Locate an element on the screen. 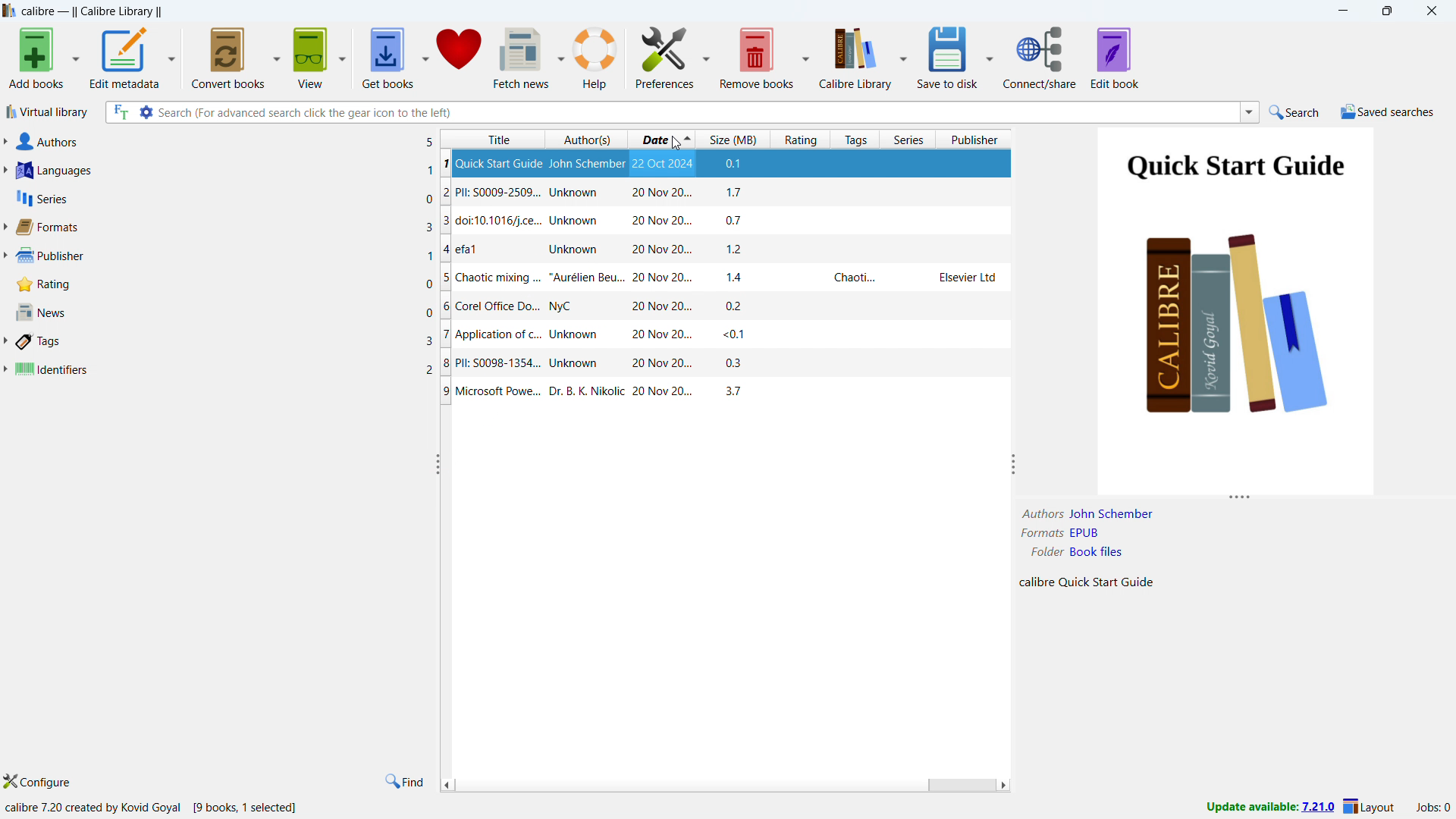 Image resolution: width=1456 pixels, height=819 pixels. NyC is located at coordinates (562, 364).